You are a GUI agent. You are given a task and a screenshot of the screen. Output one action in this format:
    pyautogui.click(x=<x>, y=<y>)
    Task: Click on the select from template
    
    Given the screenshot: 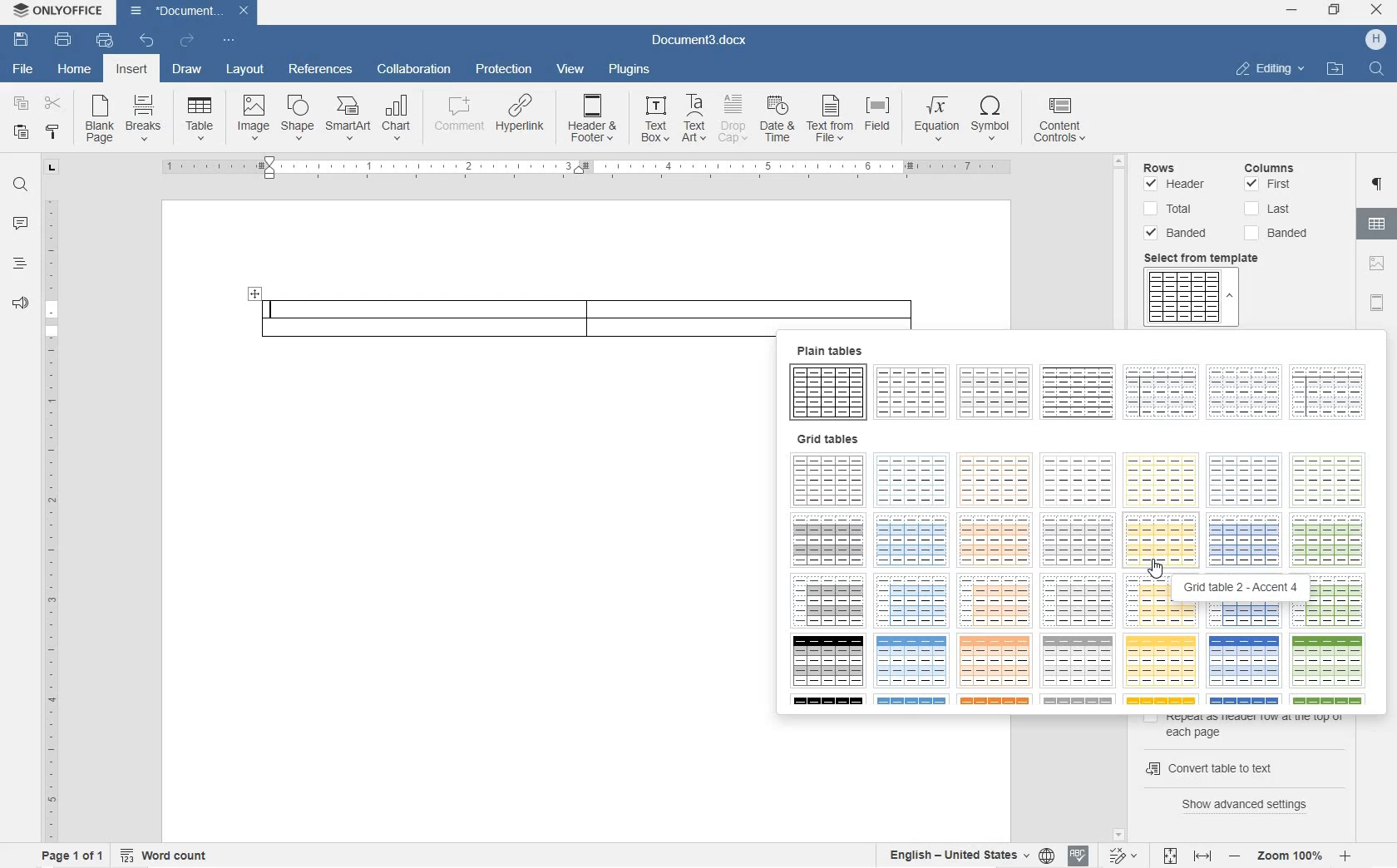 What is the action you would take?
    pyautogui.click(x=1209, y=258)
    